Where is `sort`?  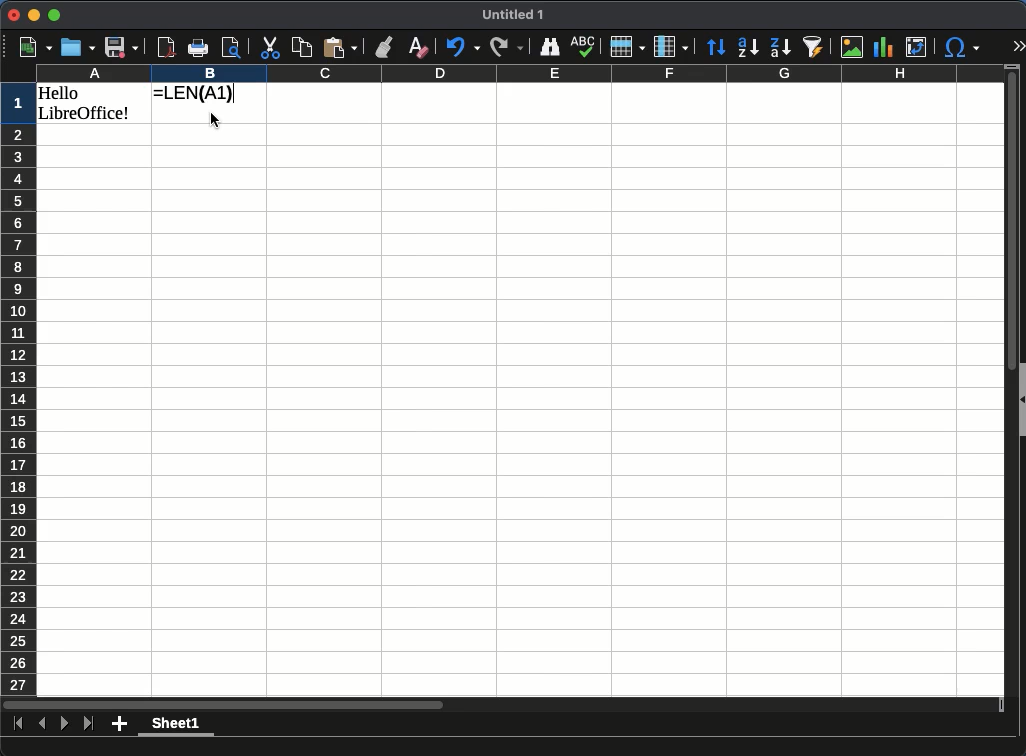
sort is located at coordinates (715, 45).